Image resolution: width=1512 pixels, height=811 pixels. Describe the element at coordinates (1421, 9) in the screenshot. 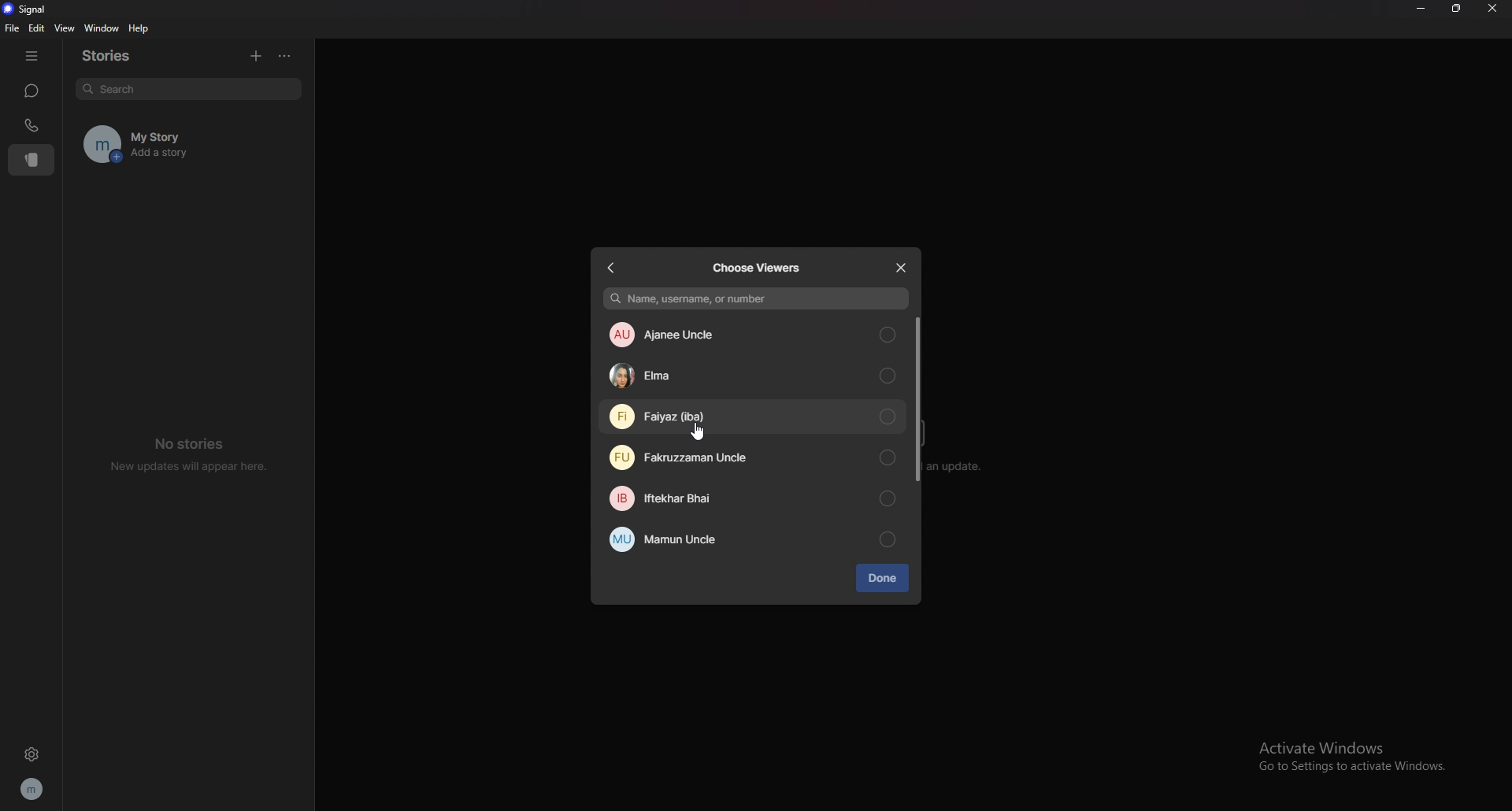

I see `minimize` at that location.